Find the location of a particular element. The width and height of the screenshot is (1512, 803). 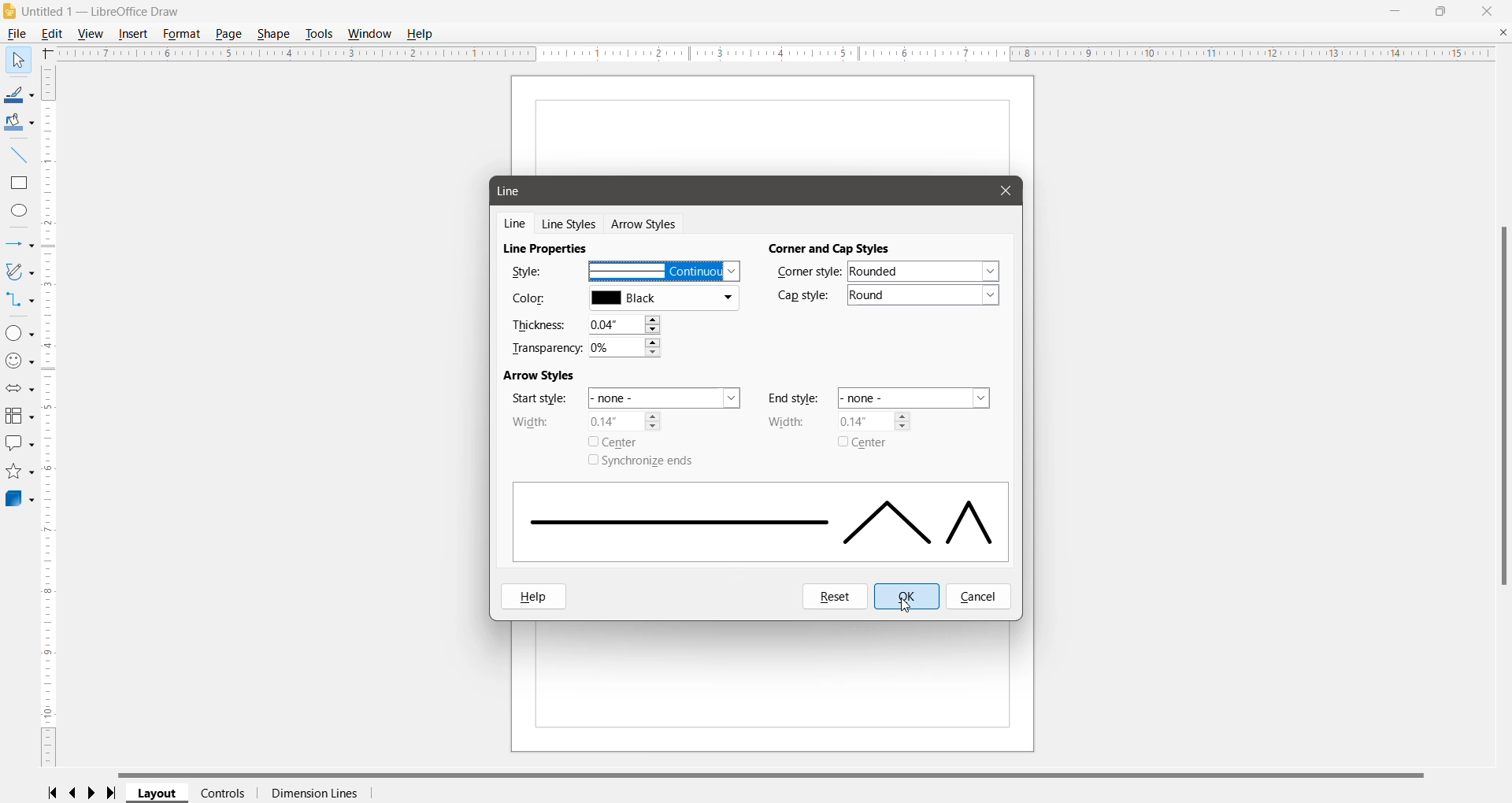

Selected Line style displayed is located at coordinates (762, 523).